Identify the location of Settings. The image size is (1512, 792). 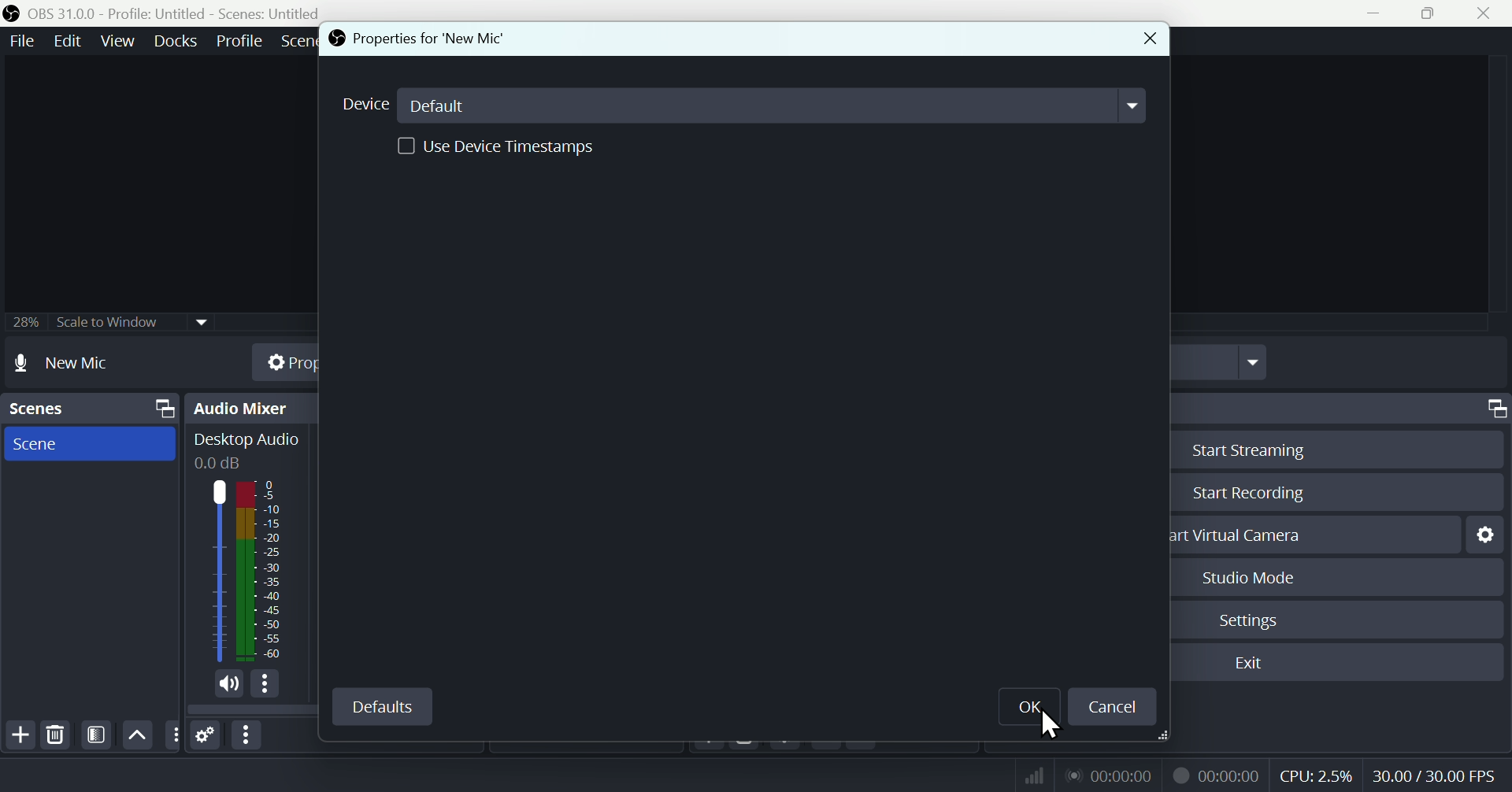
(1252, 620).